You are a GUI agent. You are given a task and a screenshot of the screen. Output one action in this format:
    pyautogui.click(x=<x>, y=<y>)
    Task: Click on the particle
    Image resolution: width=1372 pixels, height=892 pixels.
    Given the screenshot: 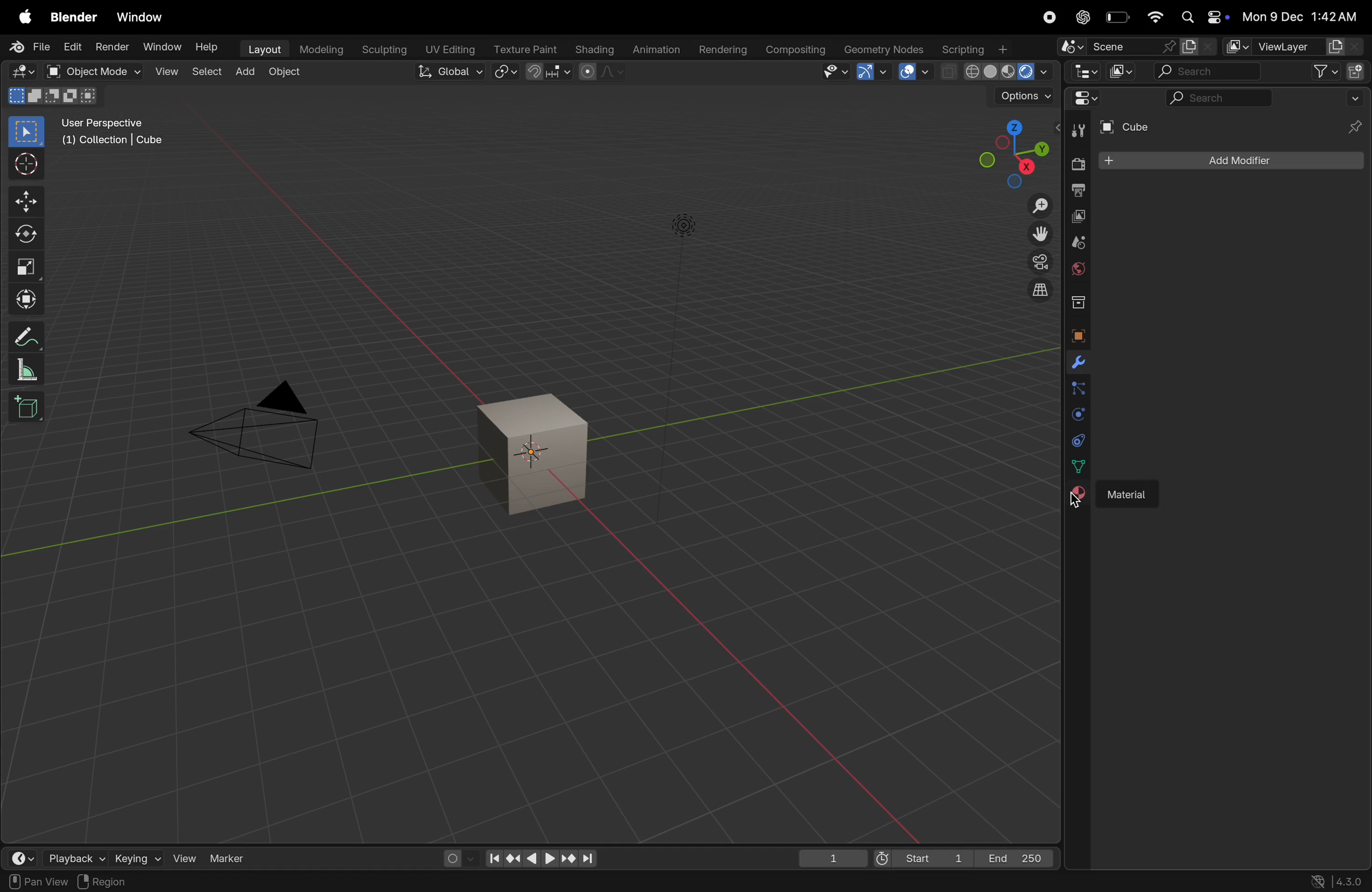 What is the action you would take?
    pyautogui.click(x=1077, y=390)
    